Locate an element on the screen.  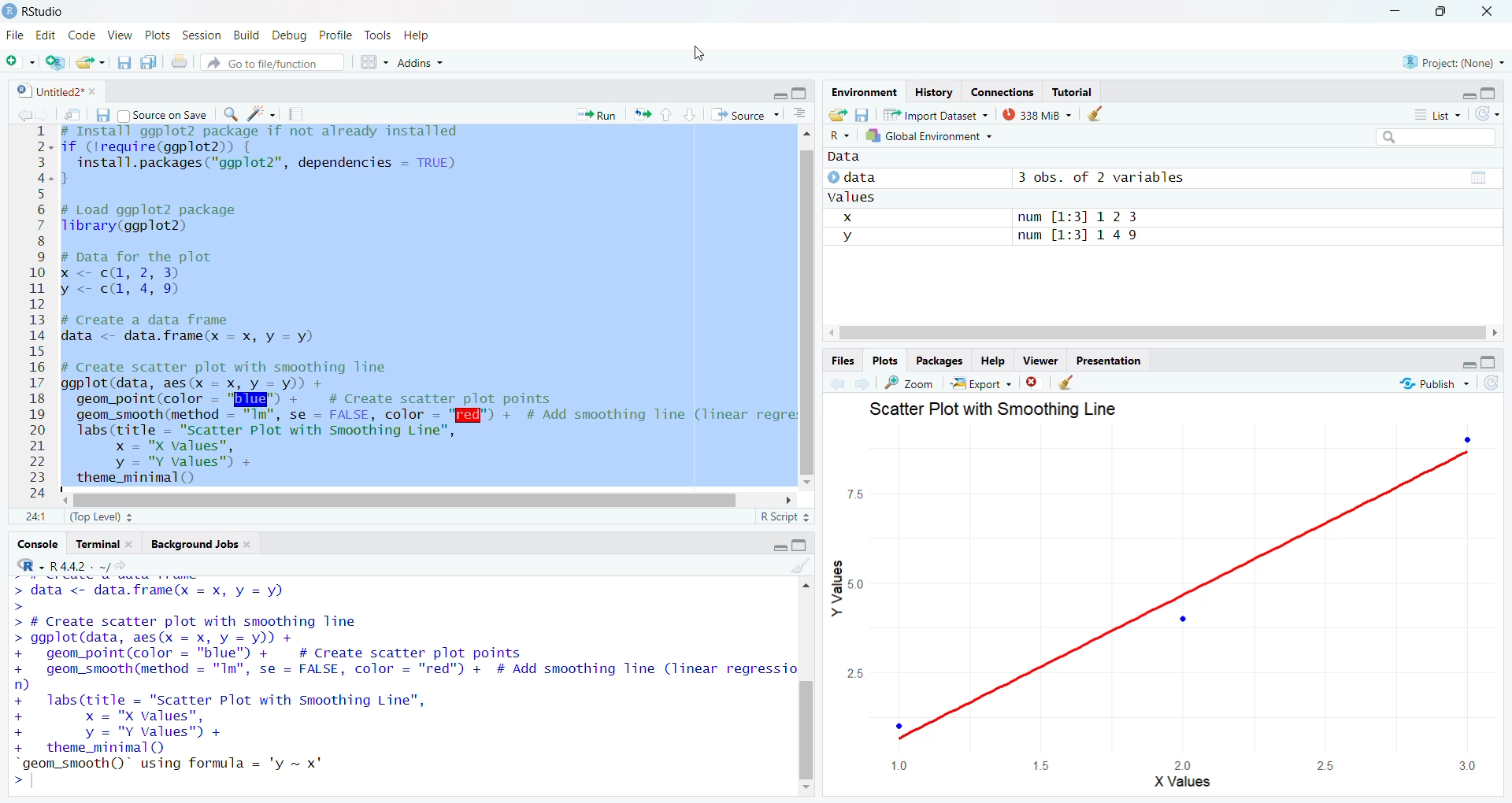
hide r script is located at coordinates (1466, 91).